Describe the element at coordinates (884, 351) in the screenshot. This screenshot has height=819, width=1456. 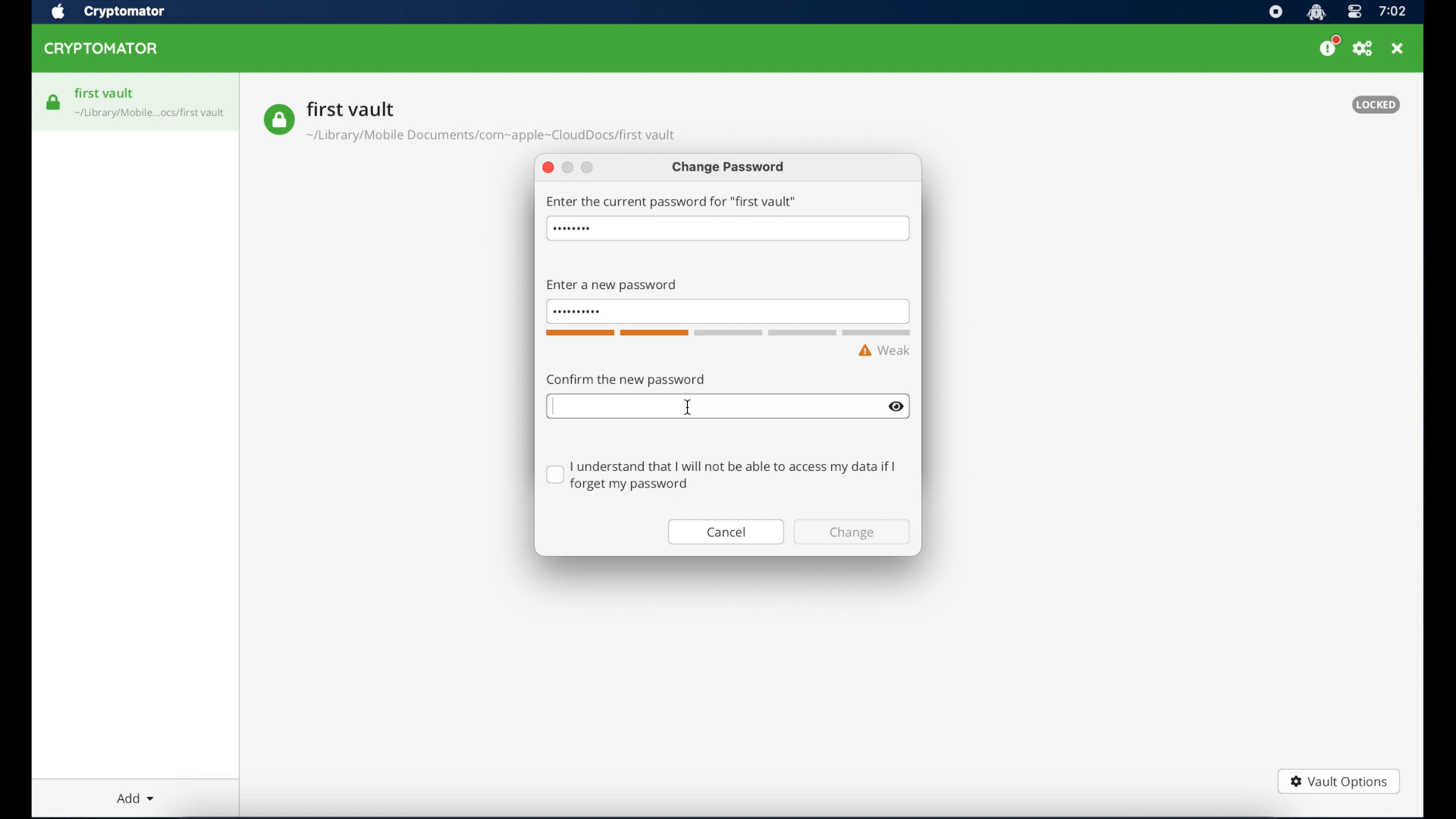
I see `weak` at that location.